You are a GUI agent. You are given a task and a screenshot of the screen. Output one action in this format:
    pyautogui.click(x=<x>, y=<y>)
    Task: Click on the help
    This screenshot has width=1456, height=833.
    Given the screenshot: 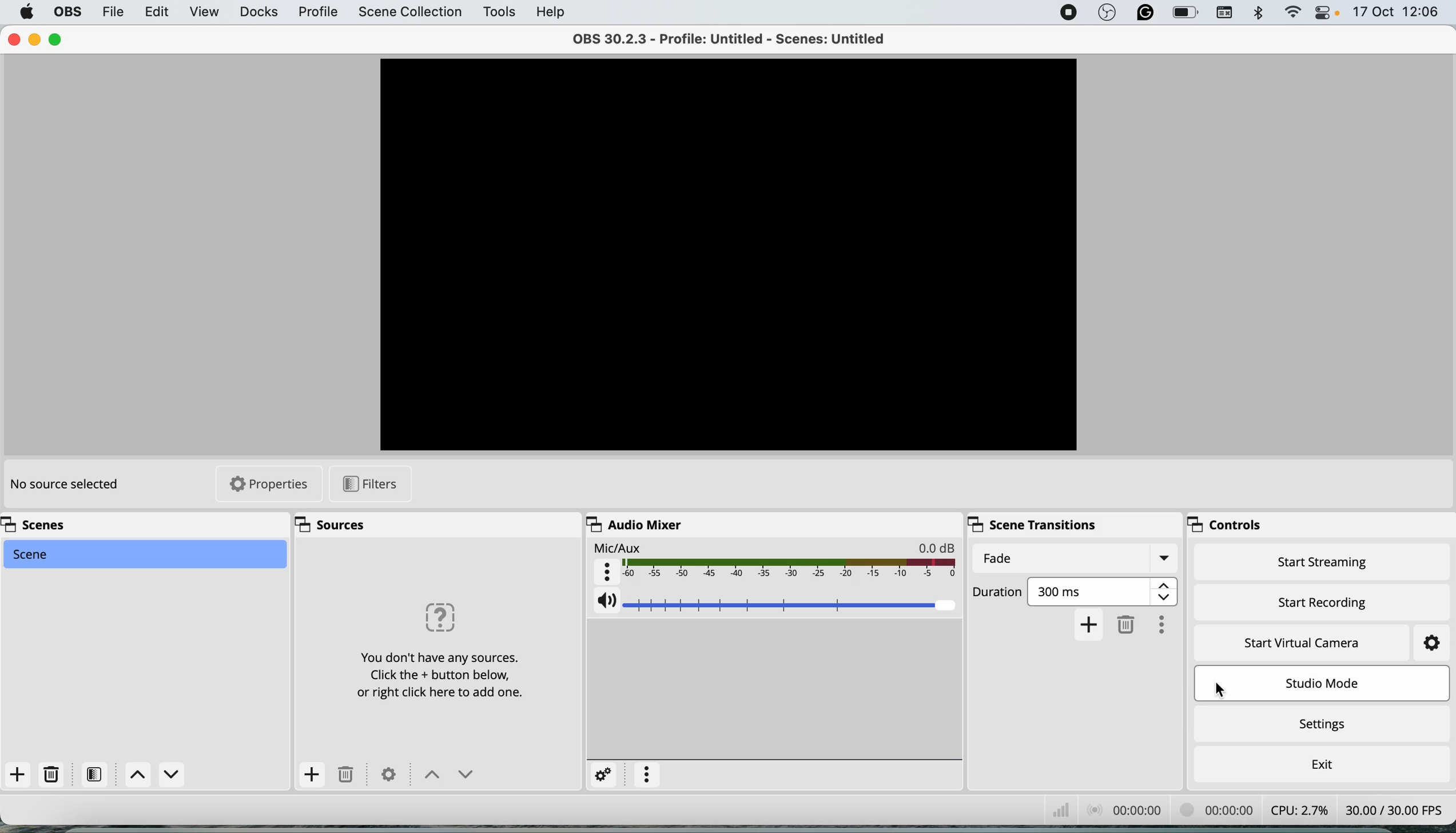 What is the action you would take?
    pyautogui.click(x=555, y=11)
    